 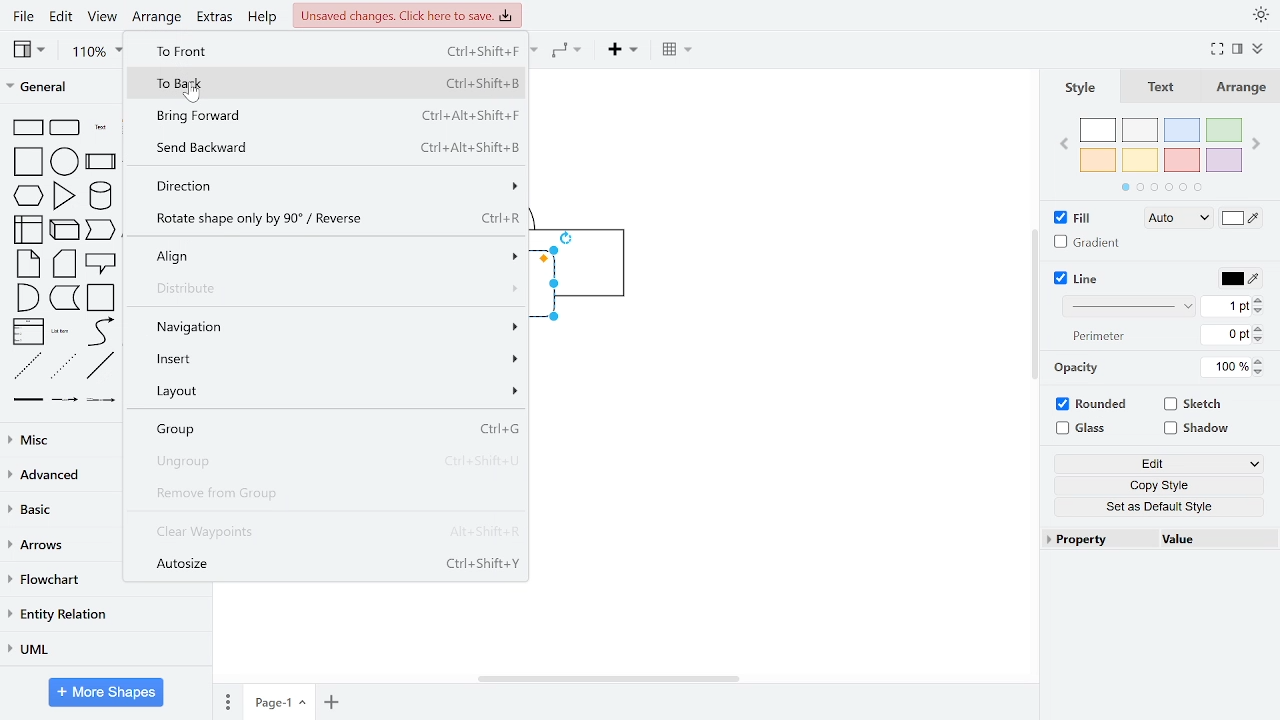 What do you see at coordinates (1182, 130) in the screenshot?
I see `blue` at bounding box center [1182, 130].